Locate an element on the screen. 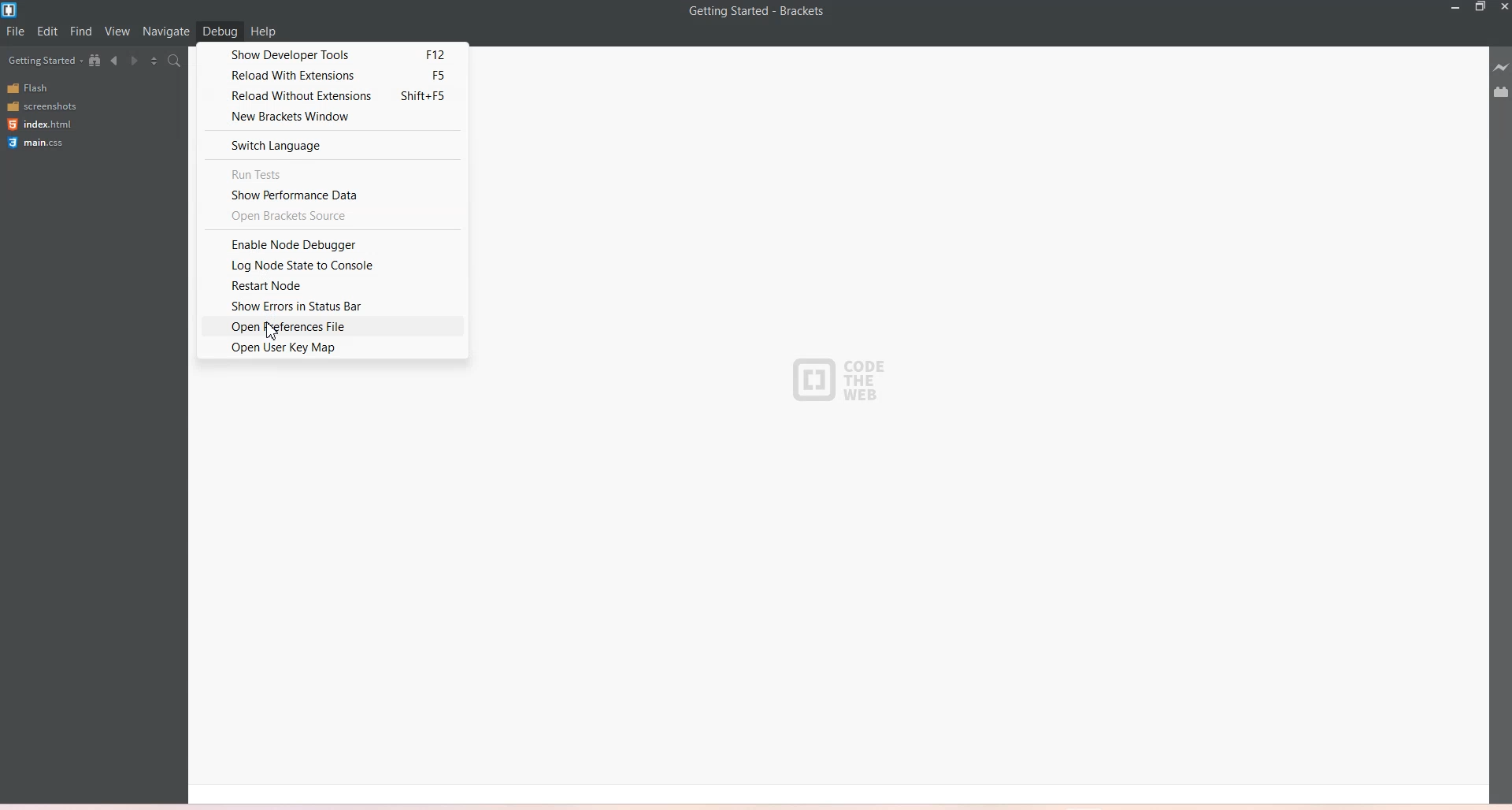  Reload without extensions is located at coordinates (332, 95).